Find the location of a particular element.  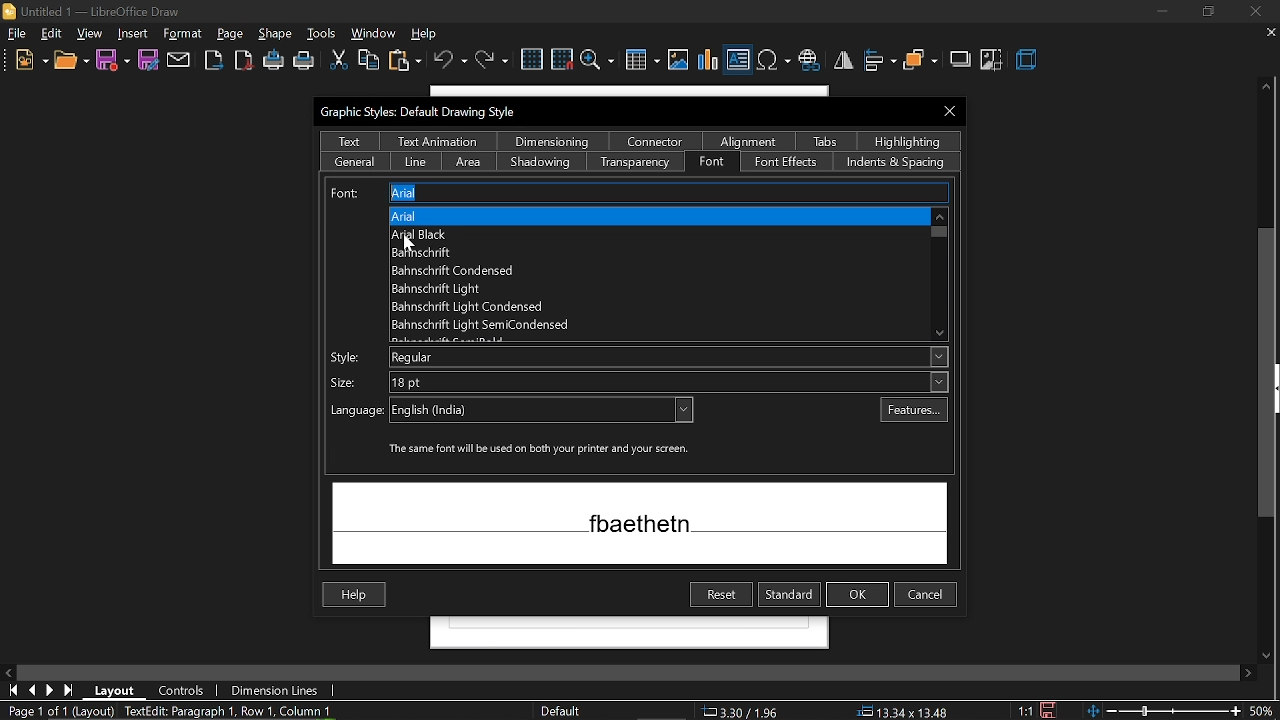

undo is located at coordinates (449, 60).